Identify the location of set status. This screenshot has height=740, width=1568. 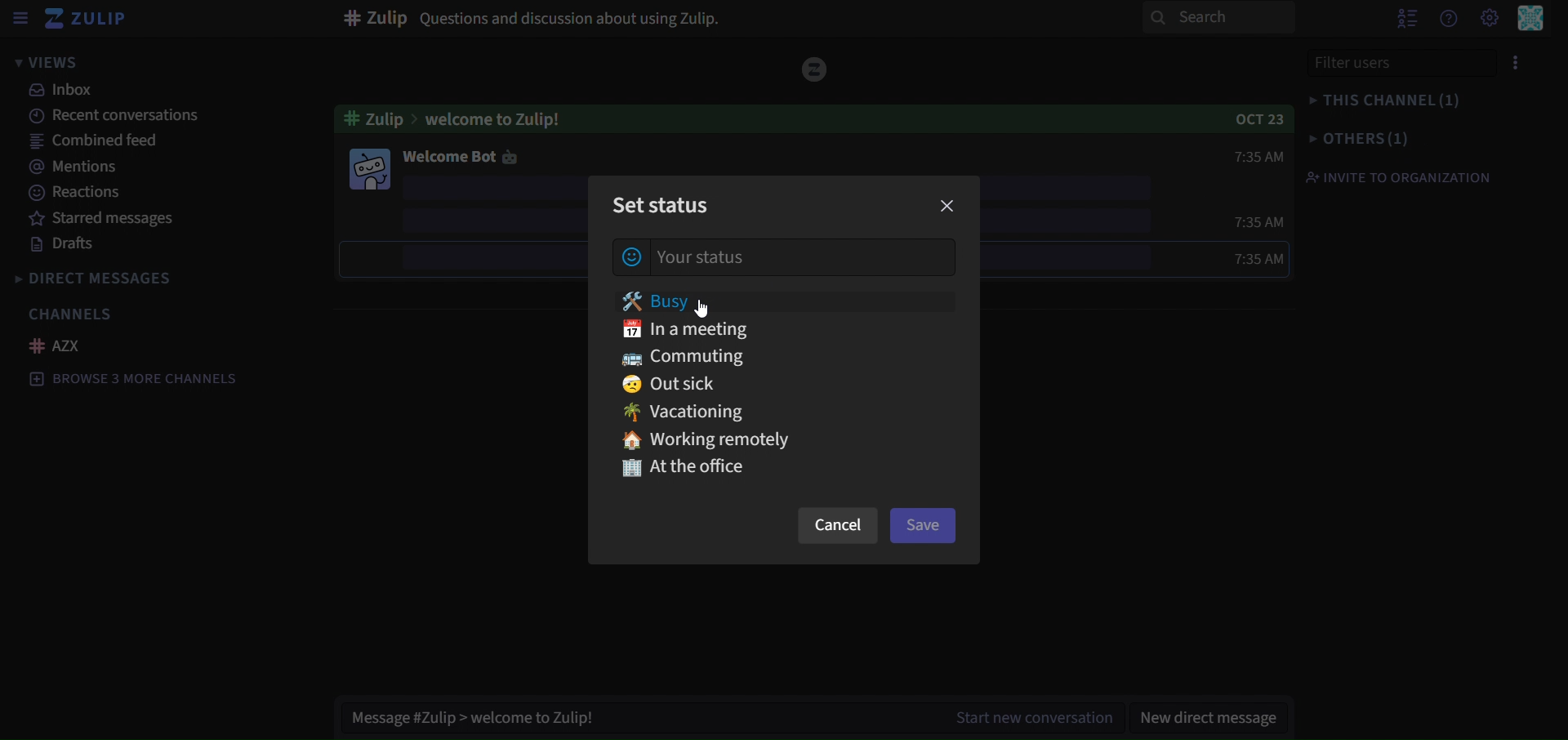
(665, 203).